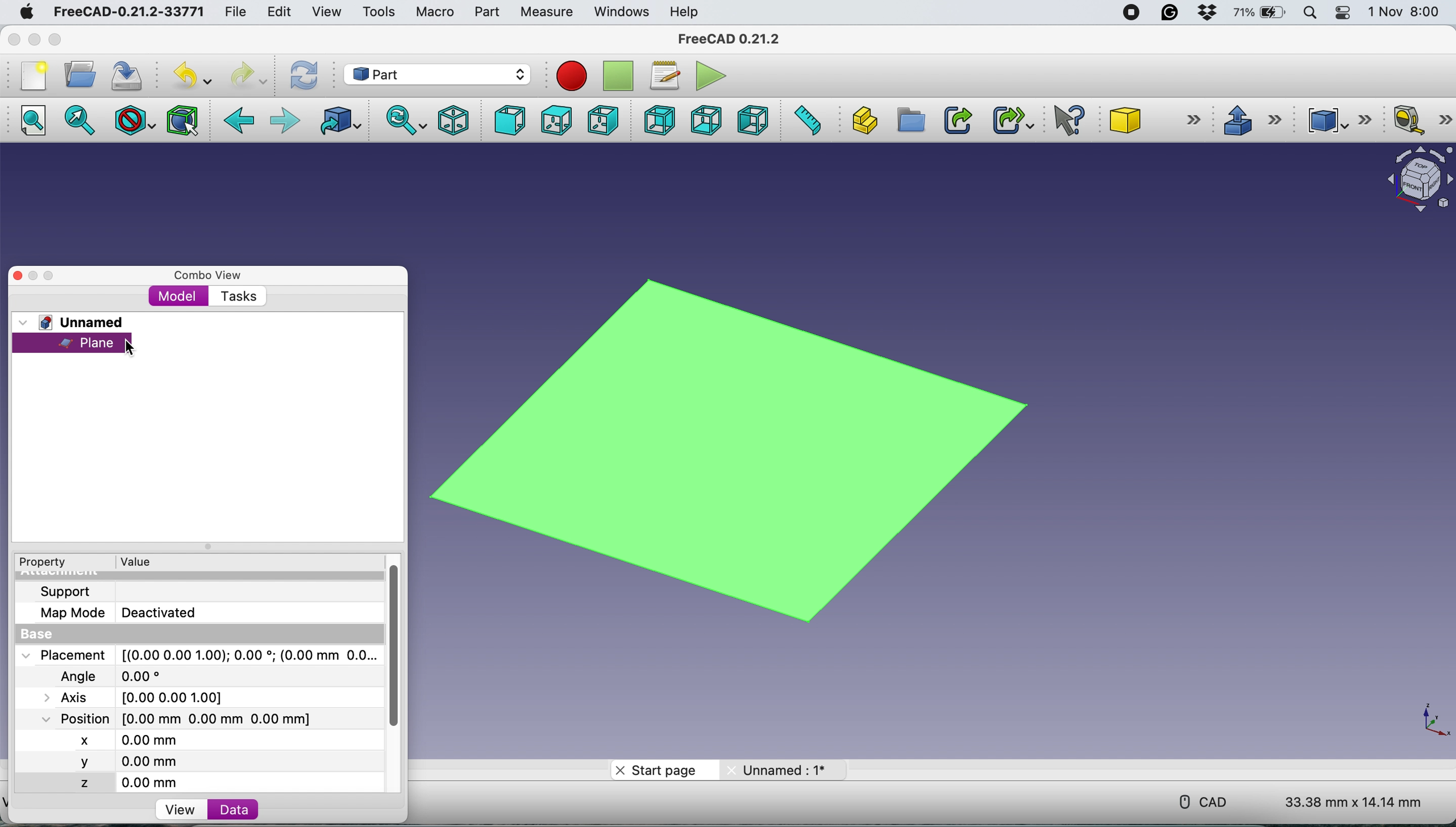 The height and width of the screenshot is (827, 1456). What do you see at coordinates (1255, 120) in the screenshot?
I see `extrude` at bounding box center [1255, 120].